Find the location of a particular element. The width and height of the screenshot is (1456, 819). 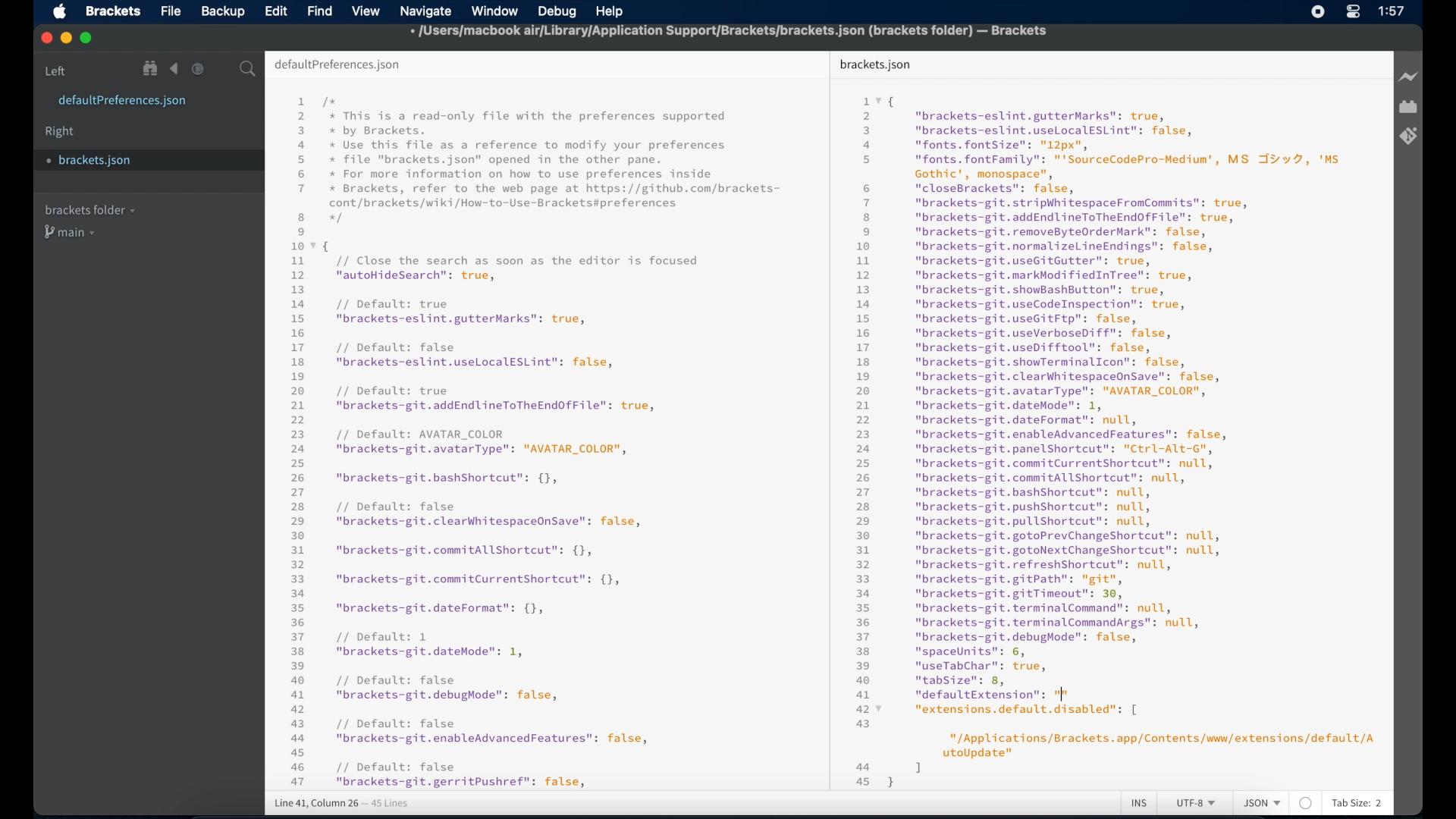

ins is located at coordinates (1140, 804).